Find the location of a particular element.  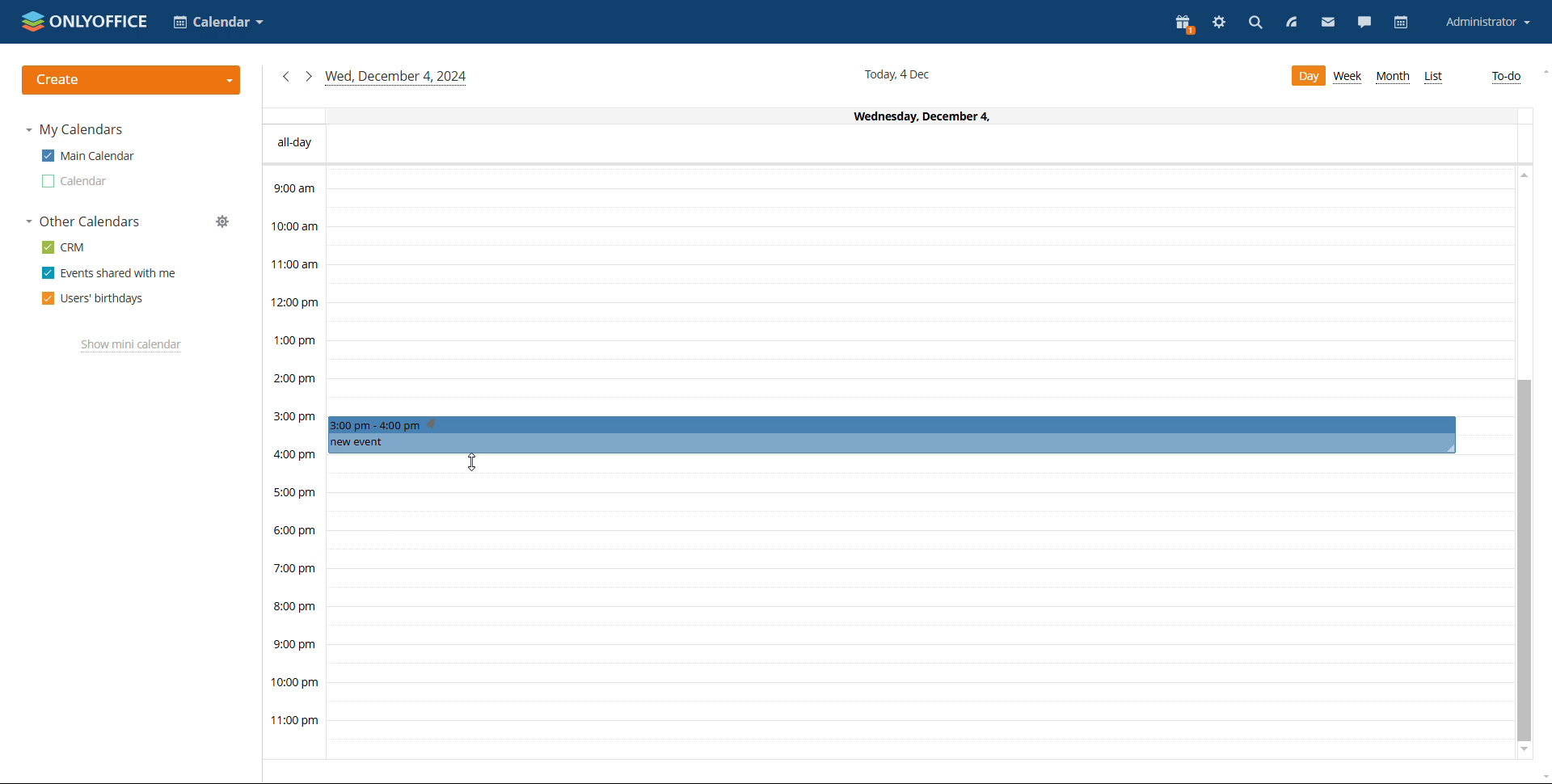

calendar is located at coordinates (75, 181).